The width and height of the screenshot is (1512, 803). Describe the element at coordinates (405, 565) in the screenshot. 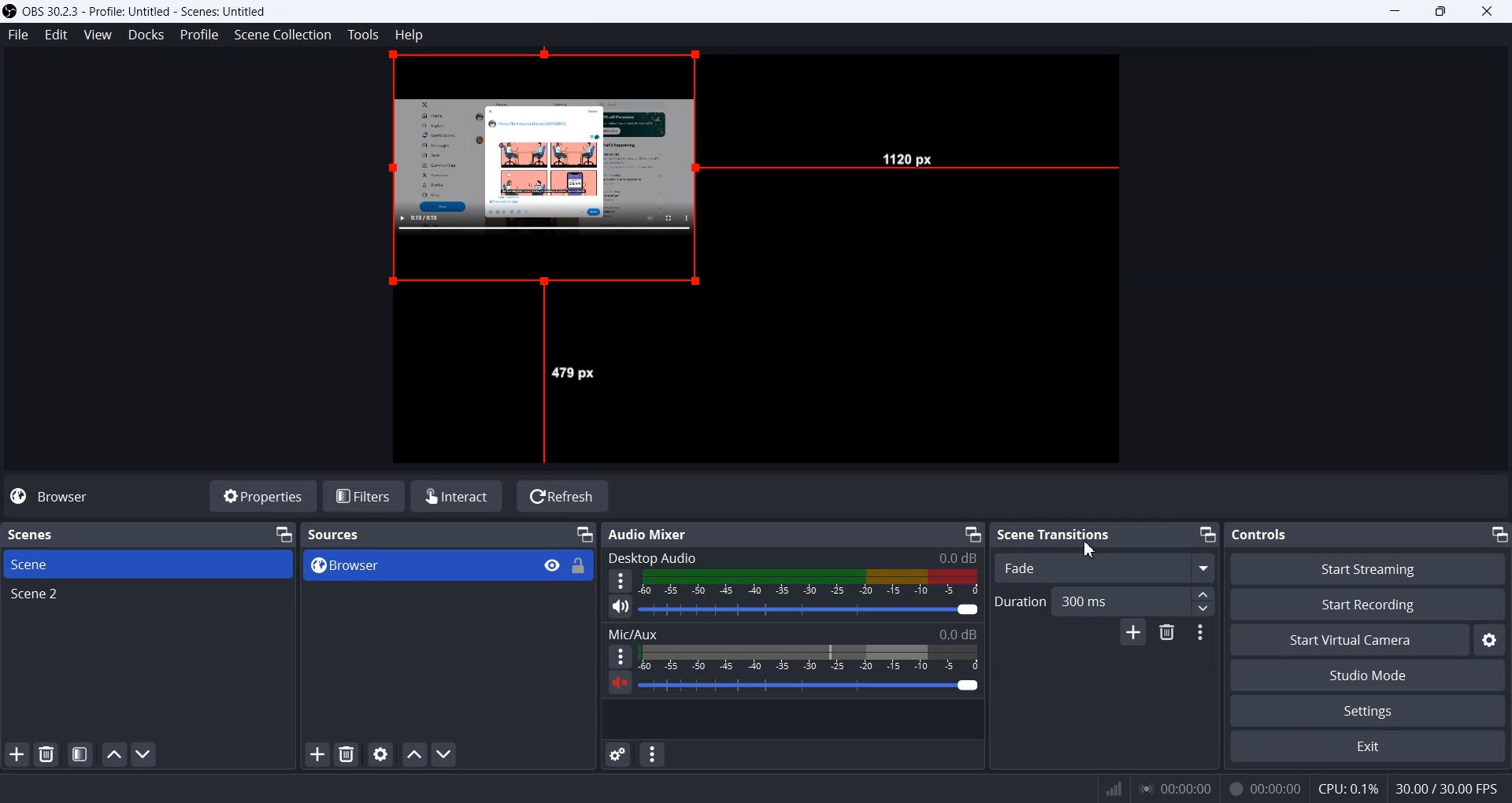

I see `Browser` at that location.